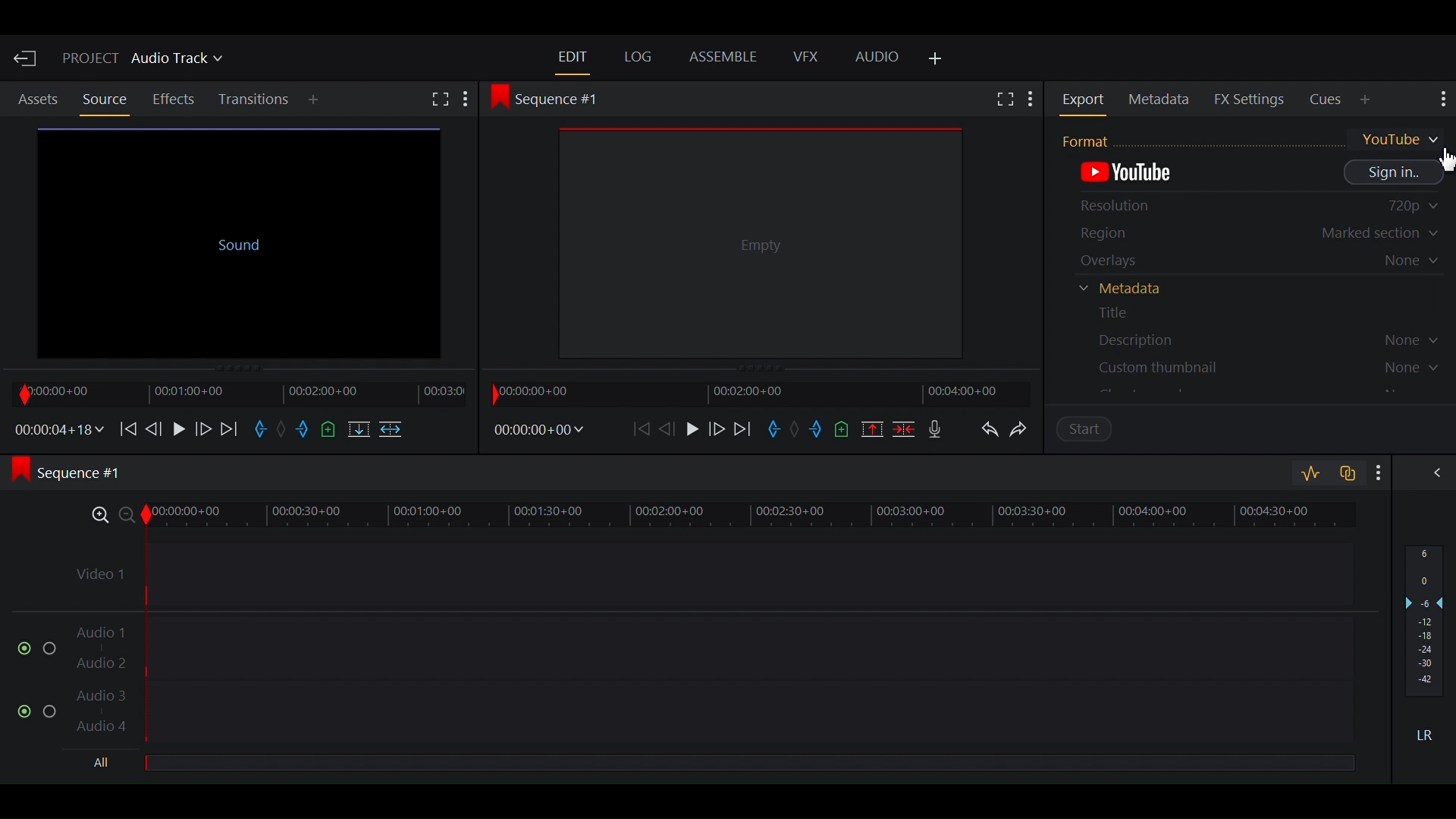  I want to click on VFX, so click(805, 57).